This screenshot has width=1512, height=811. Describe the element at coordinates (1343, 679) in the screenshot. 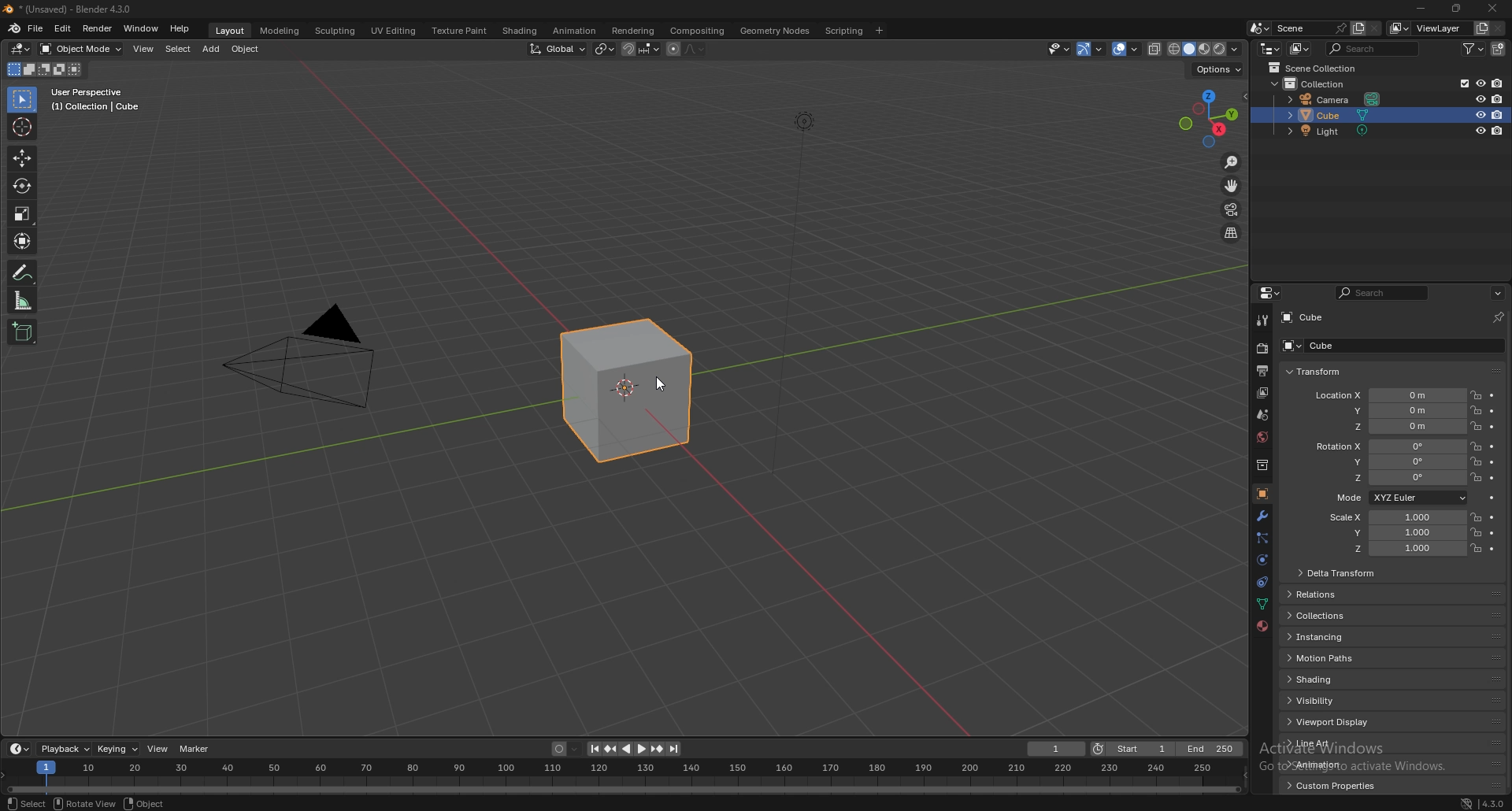

I see `shading` at that location.